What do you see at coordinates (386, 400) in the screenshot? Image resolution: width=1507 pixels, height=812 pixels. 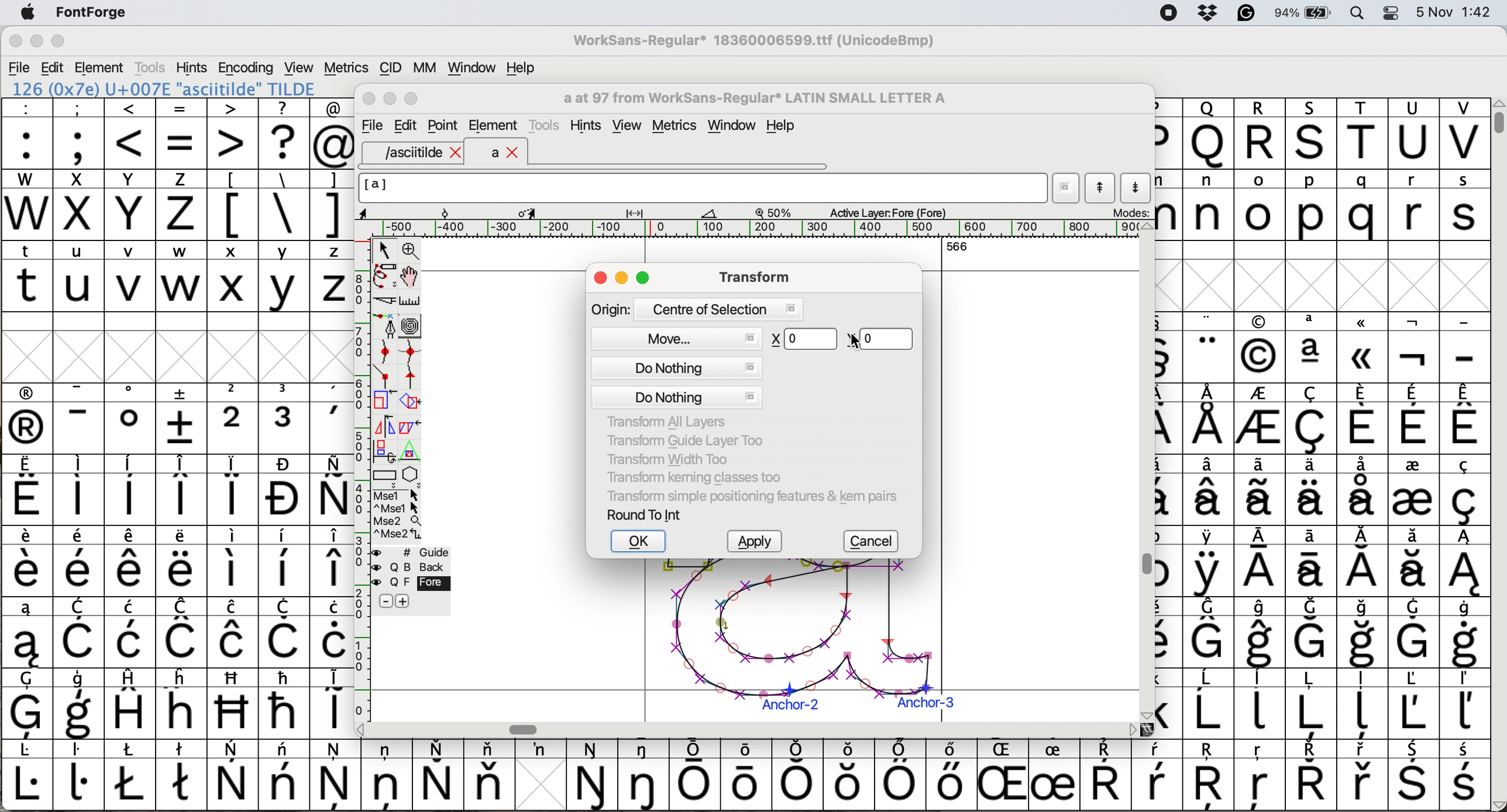 I see `scale selection` at bounding box center [386, 400].